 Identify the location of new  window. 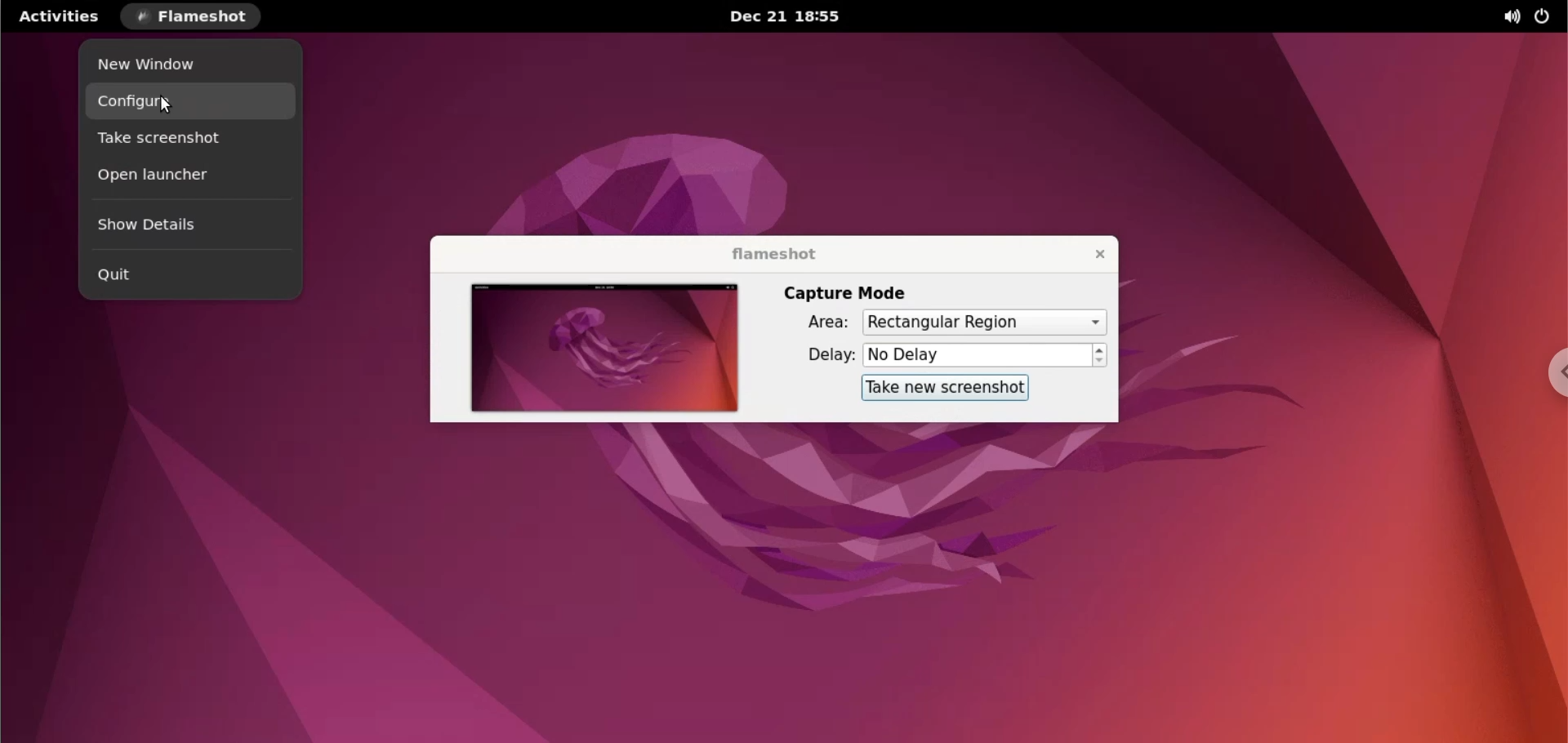
(185, 66).